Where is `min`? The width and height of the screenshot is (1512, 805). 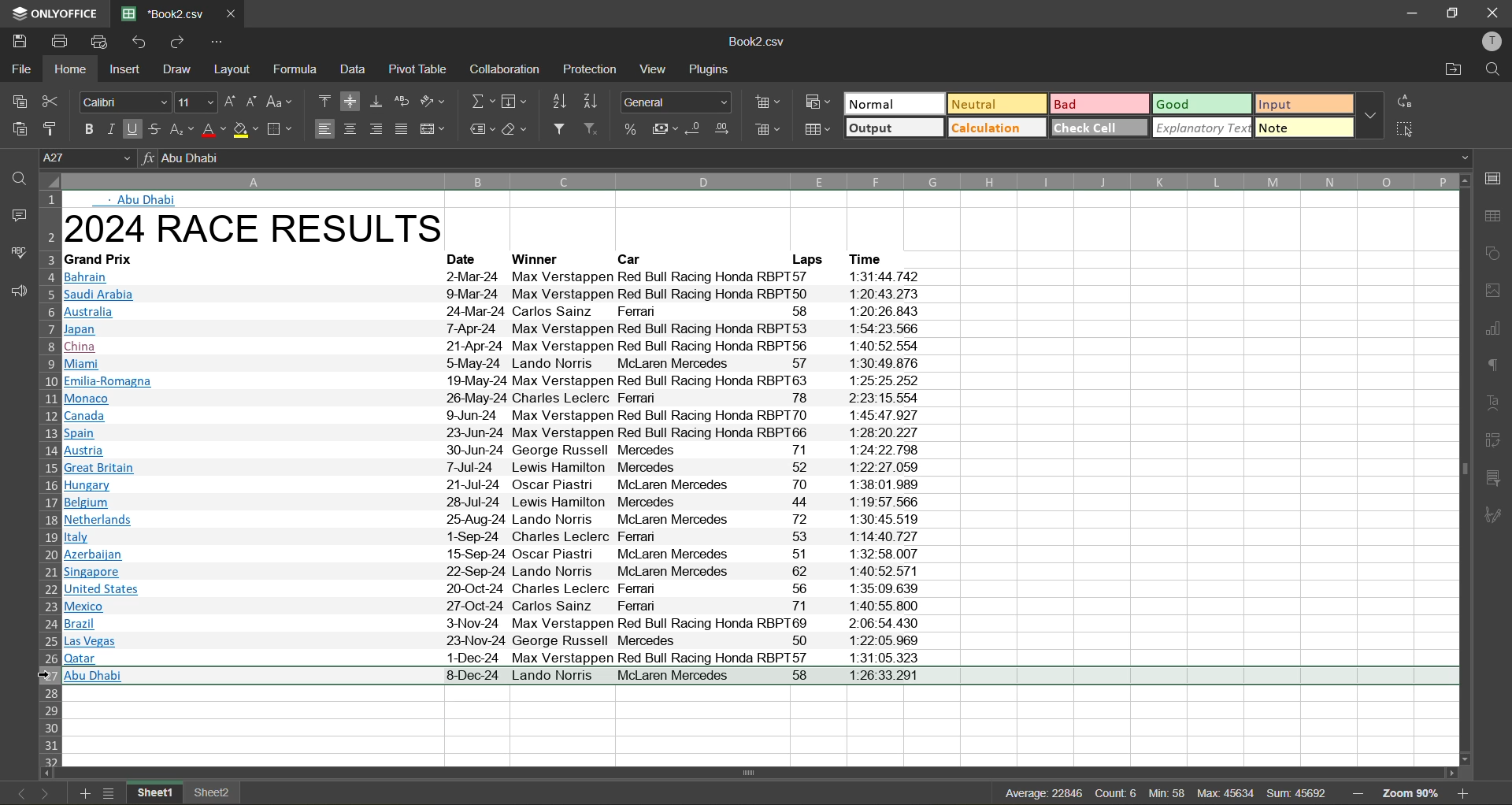
min is located at coordinates (1165, 795).